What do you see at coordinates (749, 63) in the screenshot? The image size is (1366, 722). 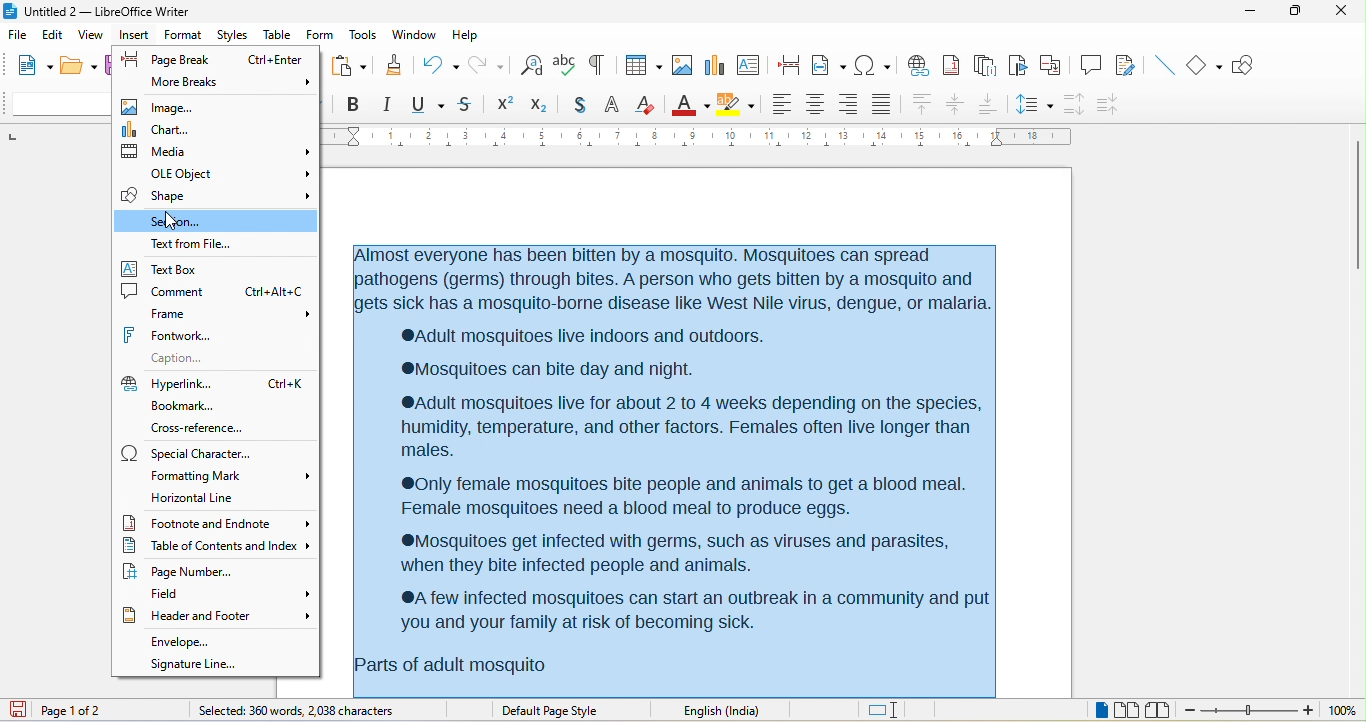 I see `text box` at bounding box center [749, 63].